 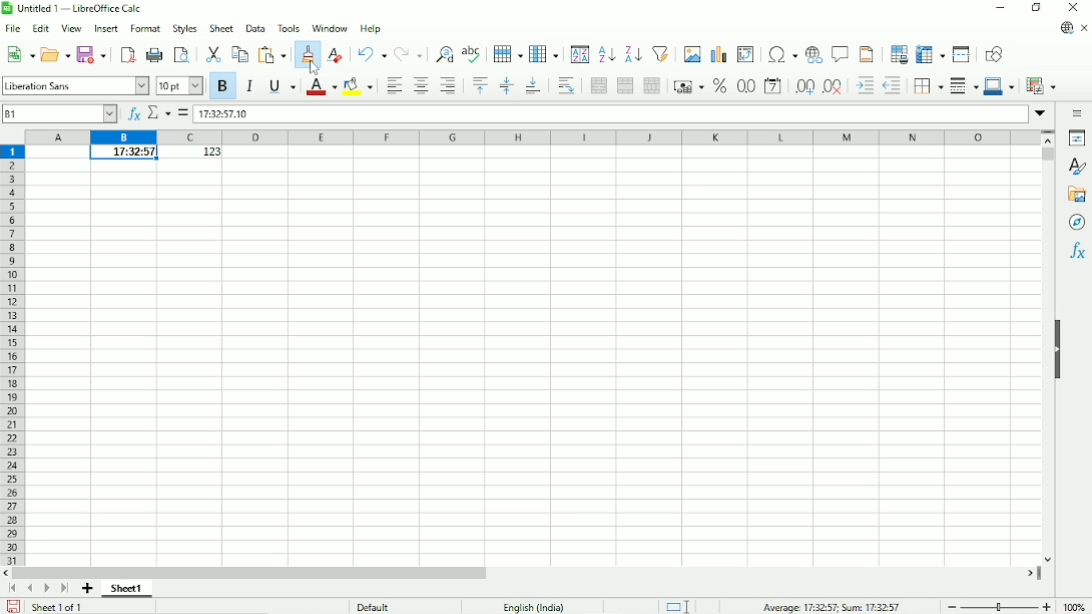 I want to click on Add decimal place, so click(x=803, y=89).